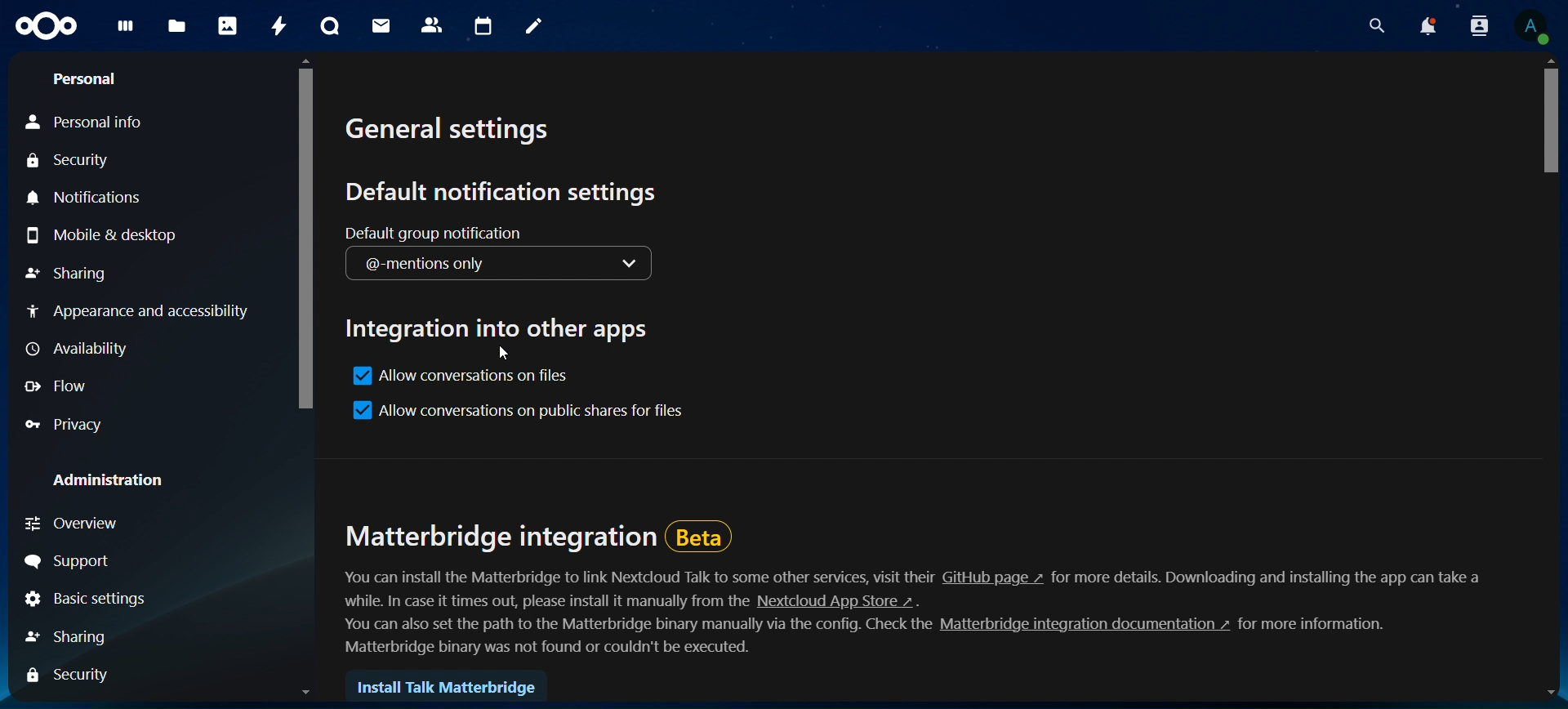 The width and height of the screenshot is (1568, 709). What do you see at coordinates (497, 328) in the screenshot?
I see `integration into other apps` at bounding box center [497, 328].